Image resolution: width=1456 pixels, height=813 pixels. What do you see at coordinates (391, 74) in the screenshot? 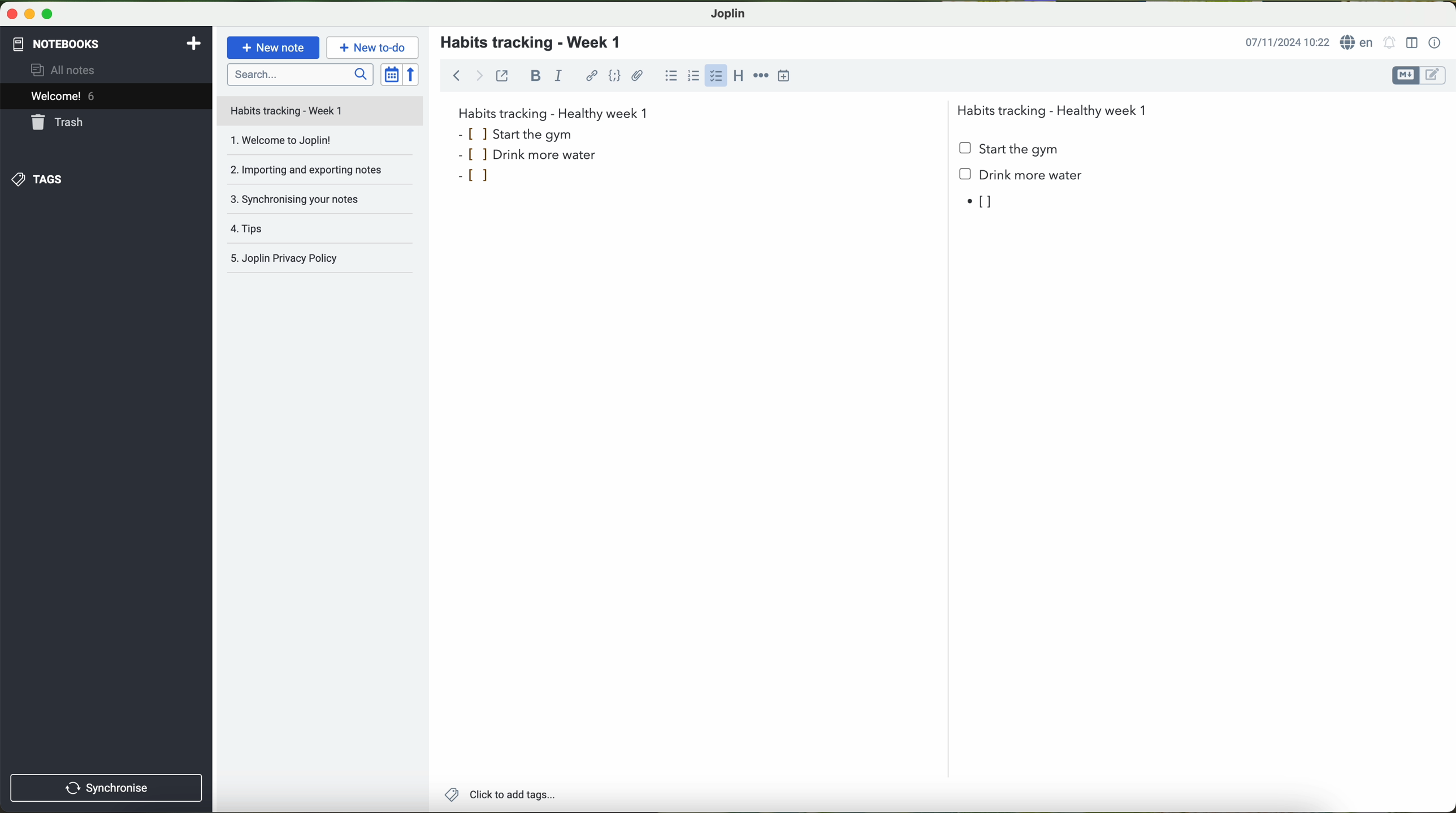
I see `toggle sort order field` at bounding box center [391, 74].